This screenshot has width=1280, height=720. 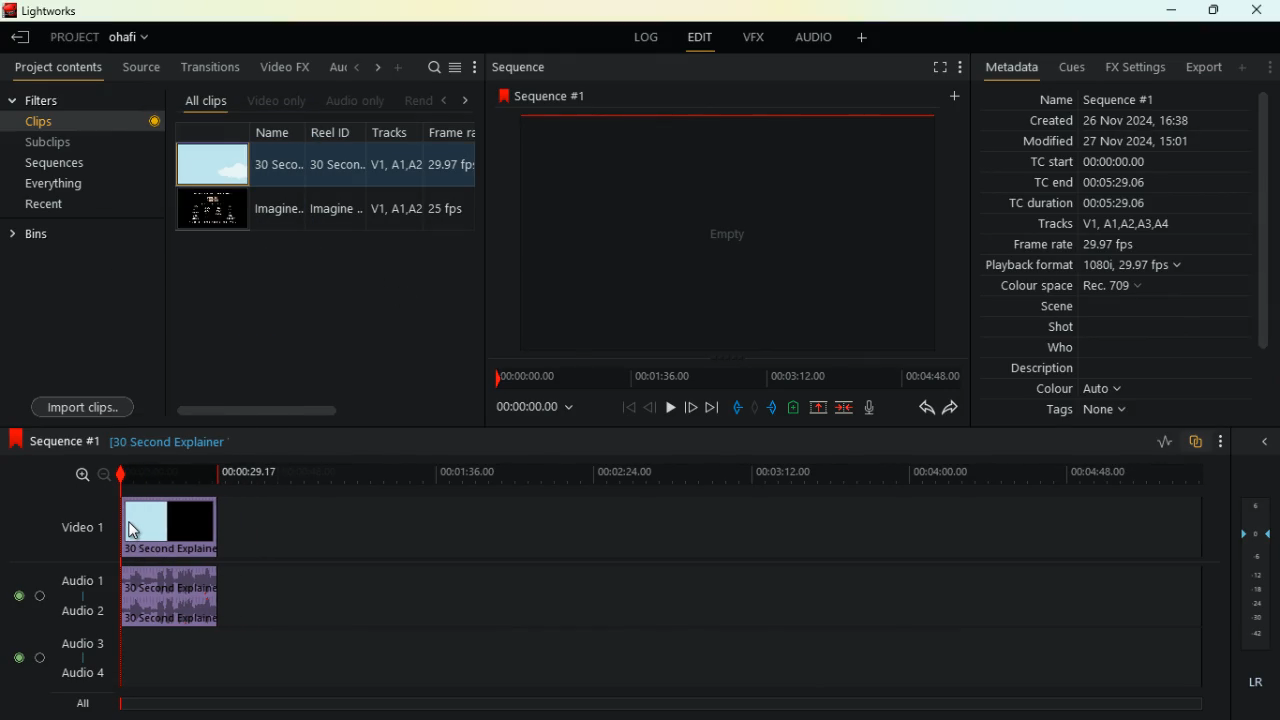 What do you see at coordinates (697, 37) in the screenshot?
I see `edit` at bounding box center [697, 37].